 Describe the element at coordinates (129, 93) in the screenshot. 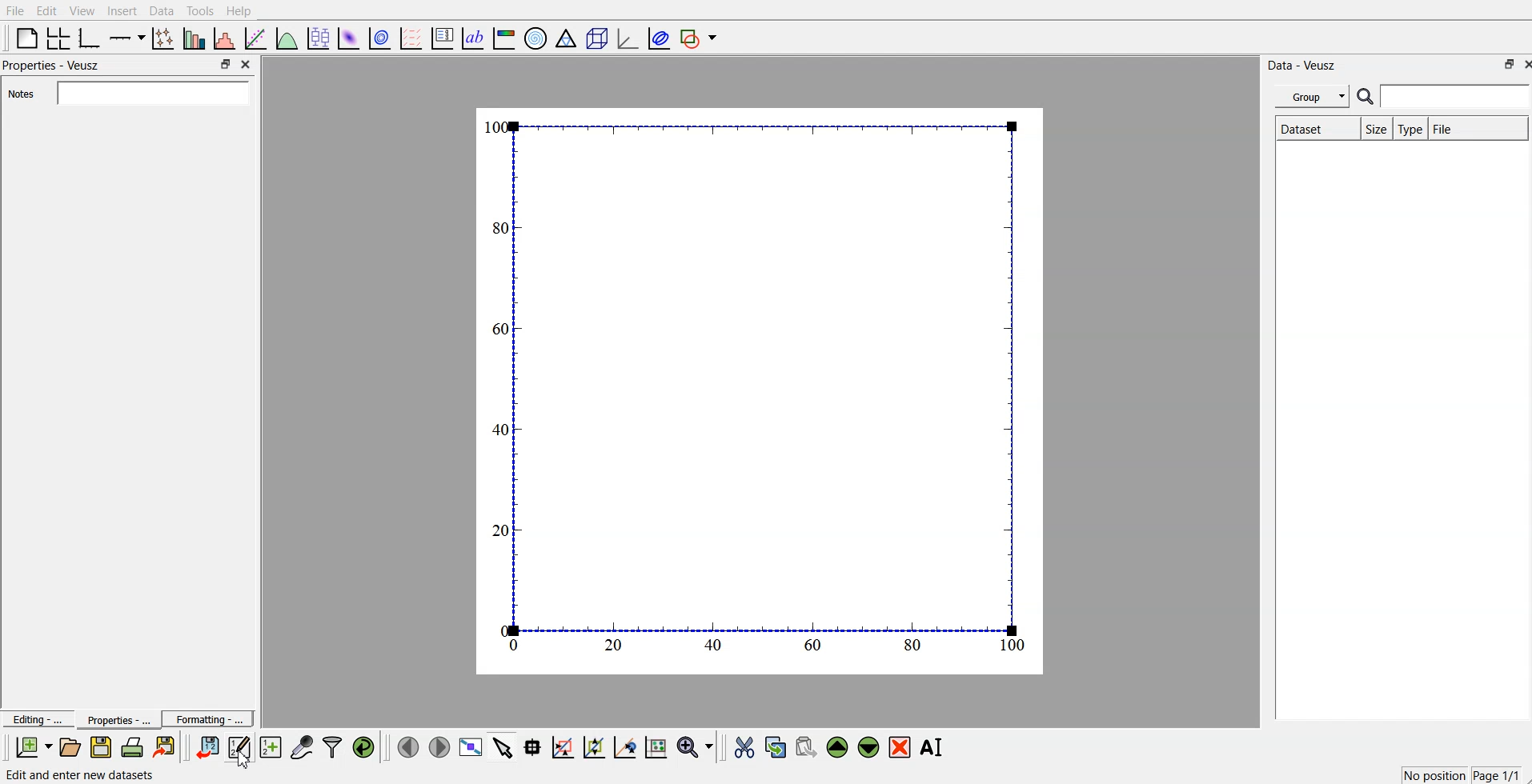

I see `Notes` at that location.